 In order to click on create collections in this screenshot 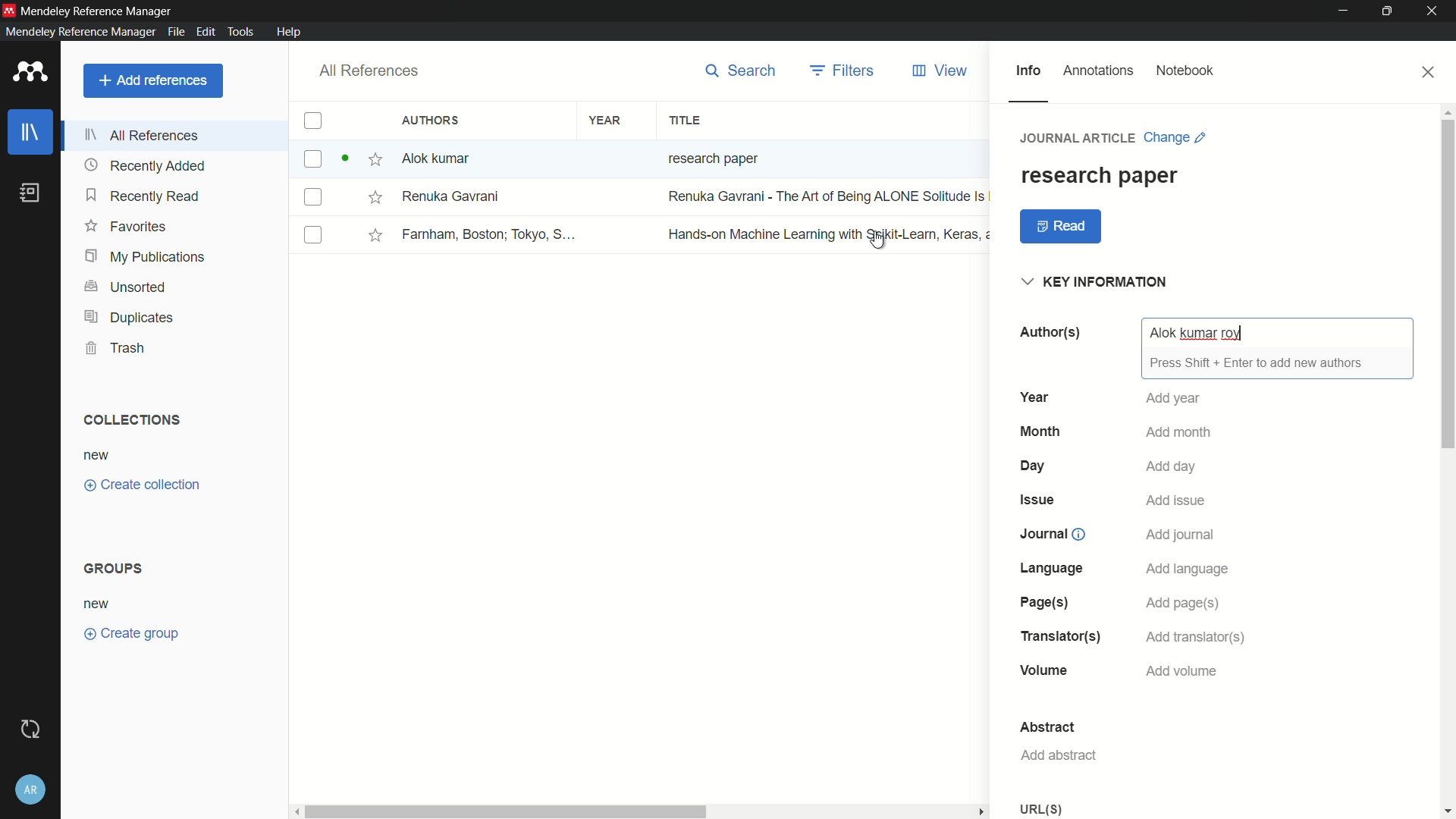, I will do `click(142, 485)`.